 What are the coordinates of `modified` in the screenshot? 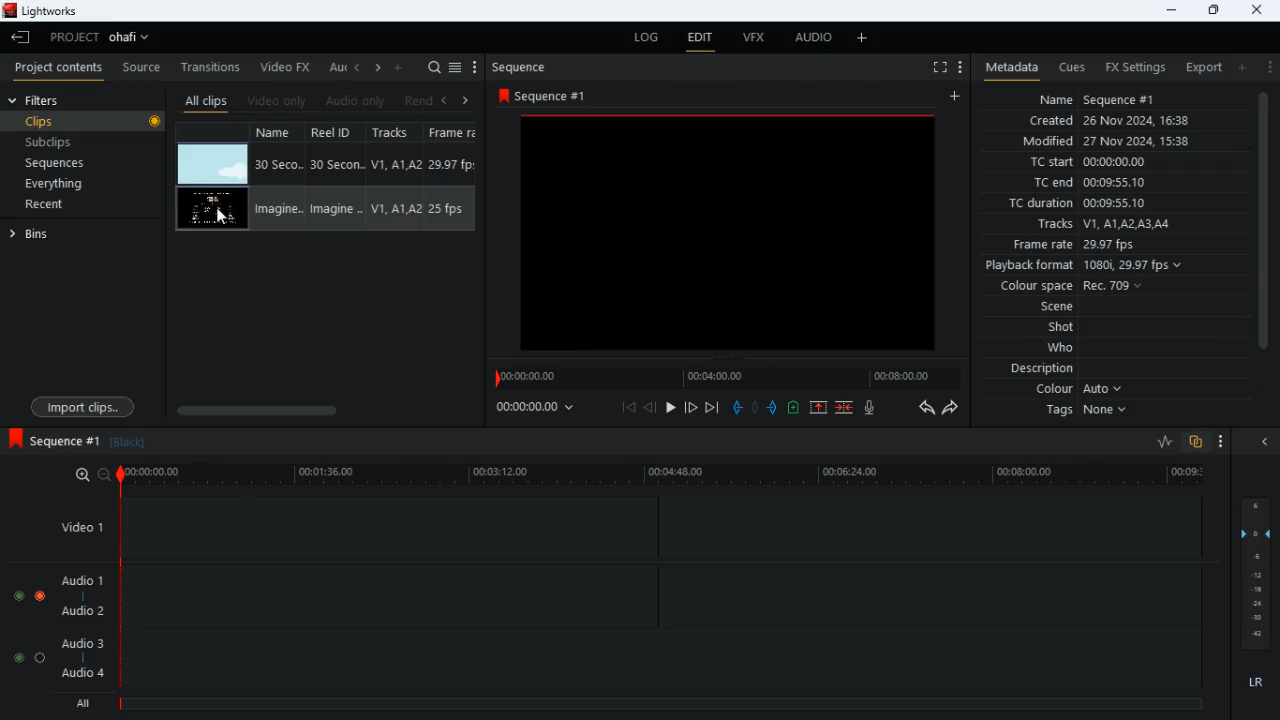 It's located at (1113, 141).